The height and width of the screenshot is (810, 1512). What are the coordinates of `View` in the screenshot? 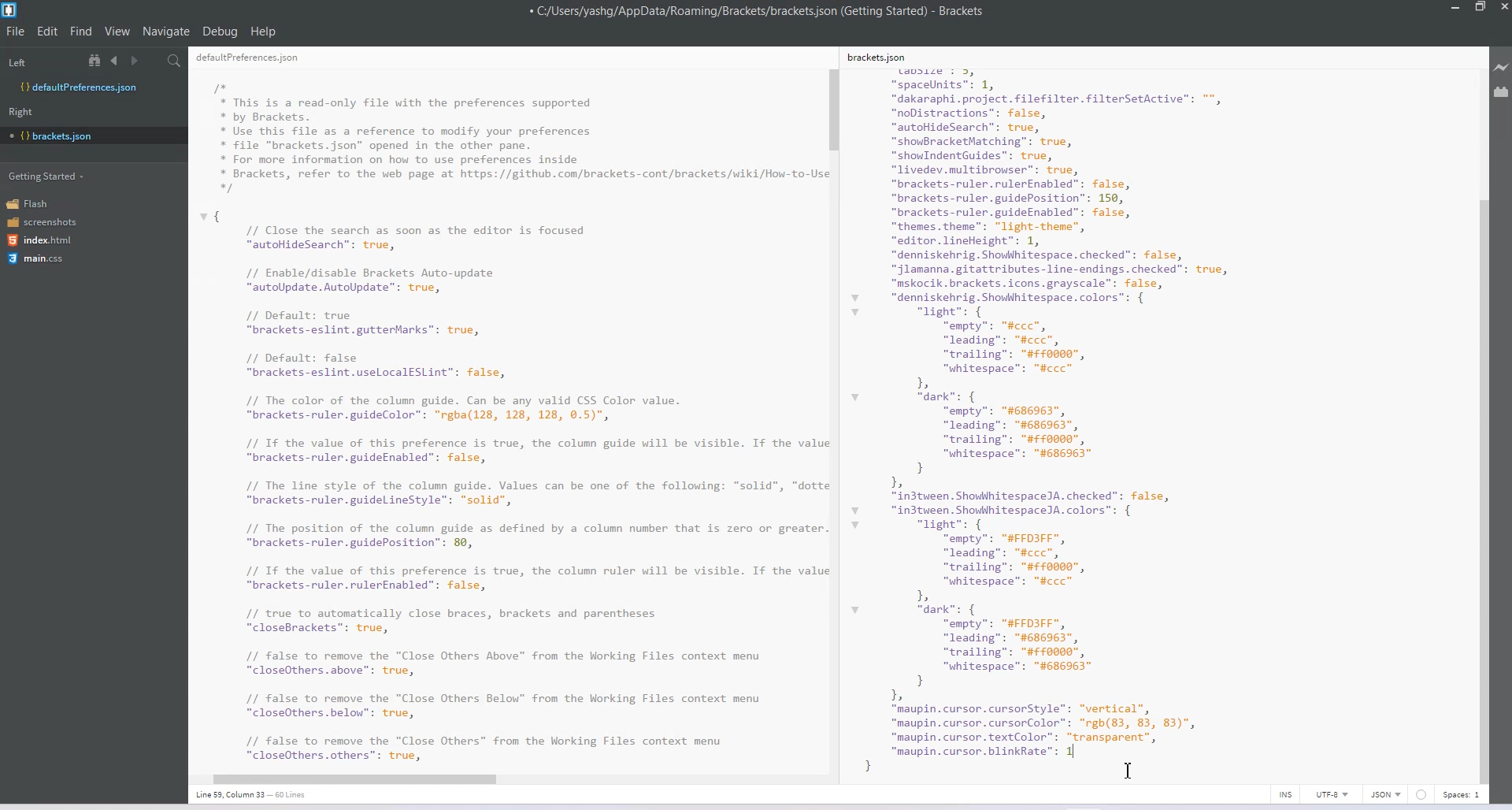 It's located at (118, 31).